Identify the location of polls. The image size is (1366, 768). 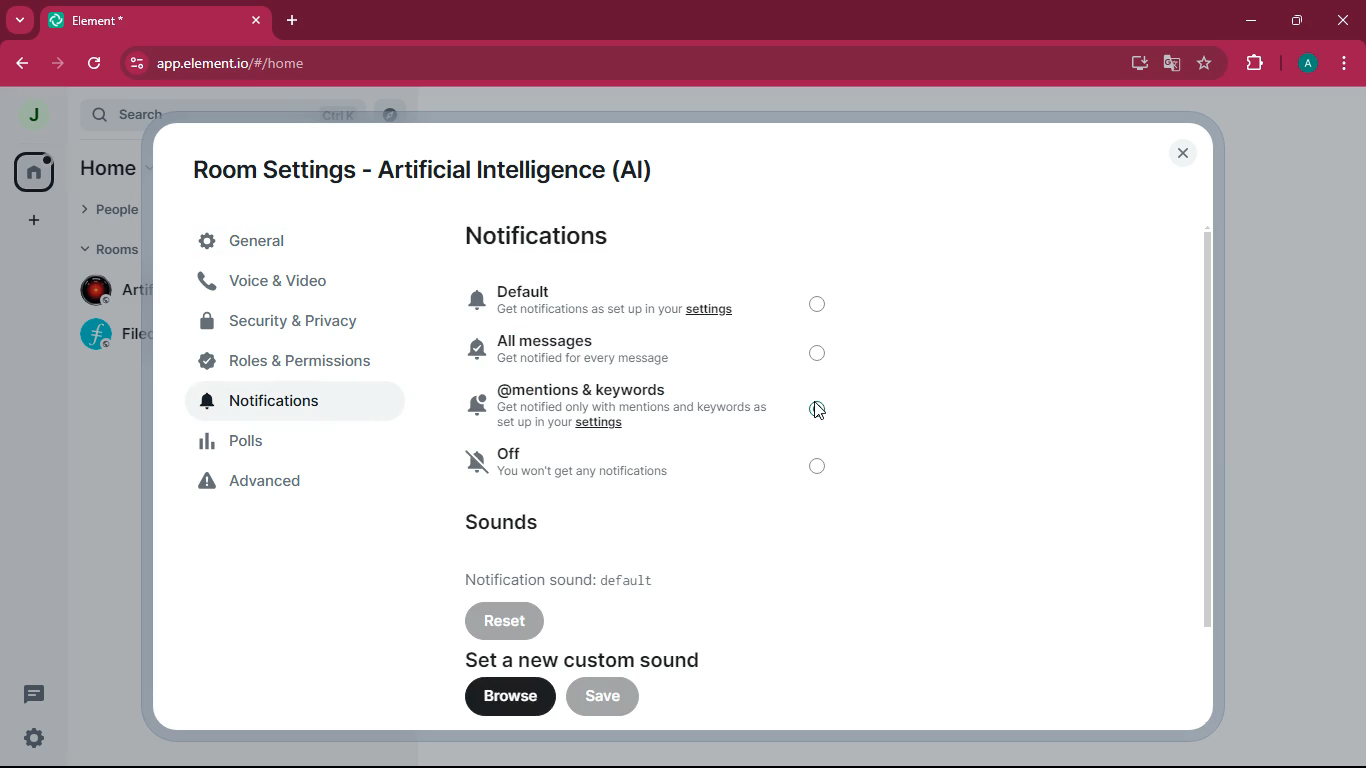
(301, 444).